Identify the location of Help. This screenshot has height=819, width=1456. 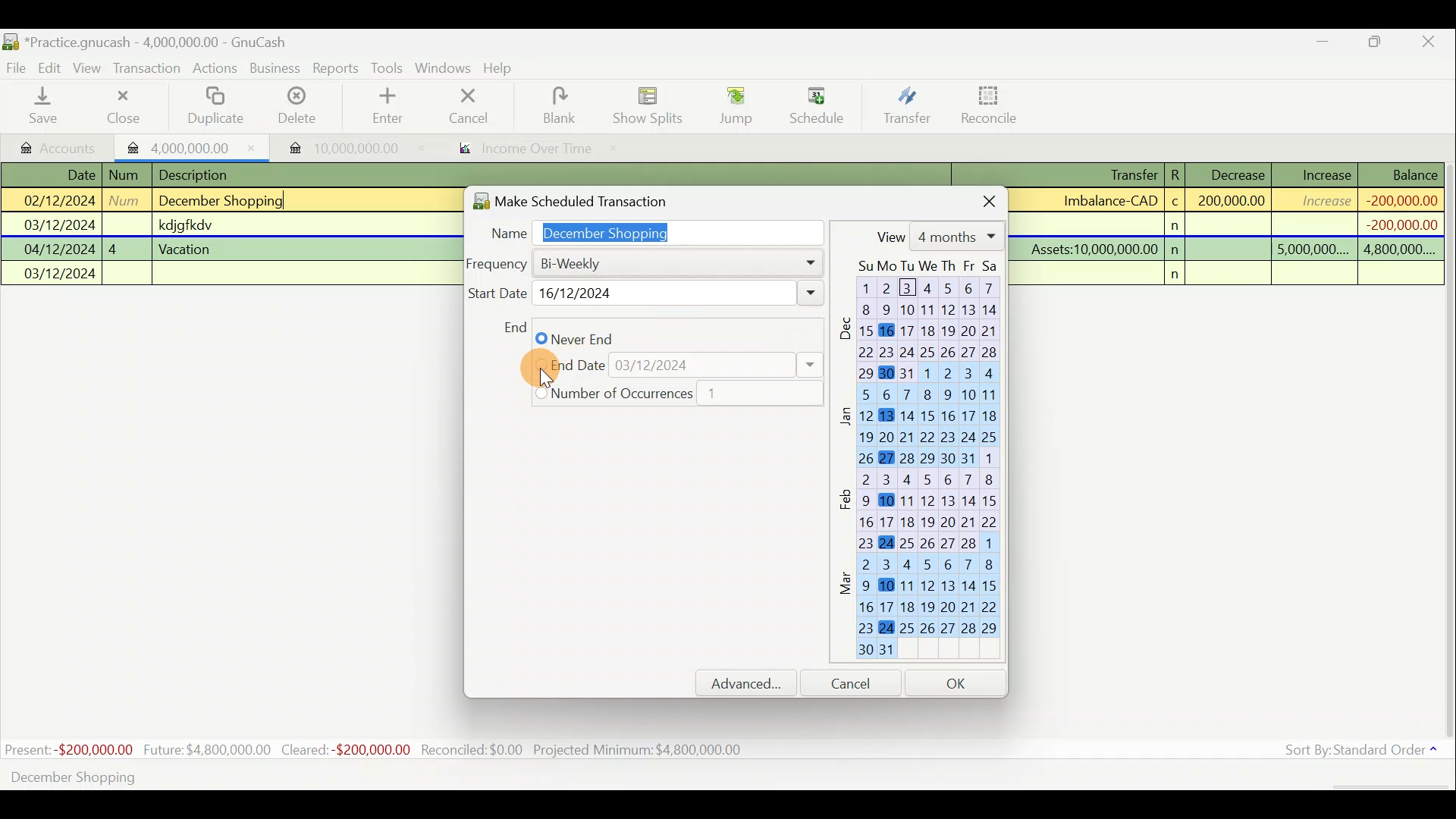
(504, 68).